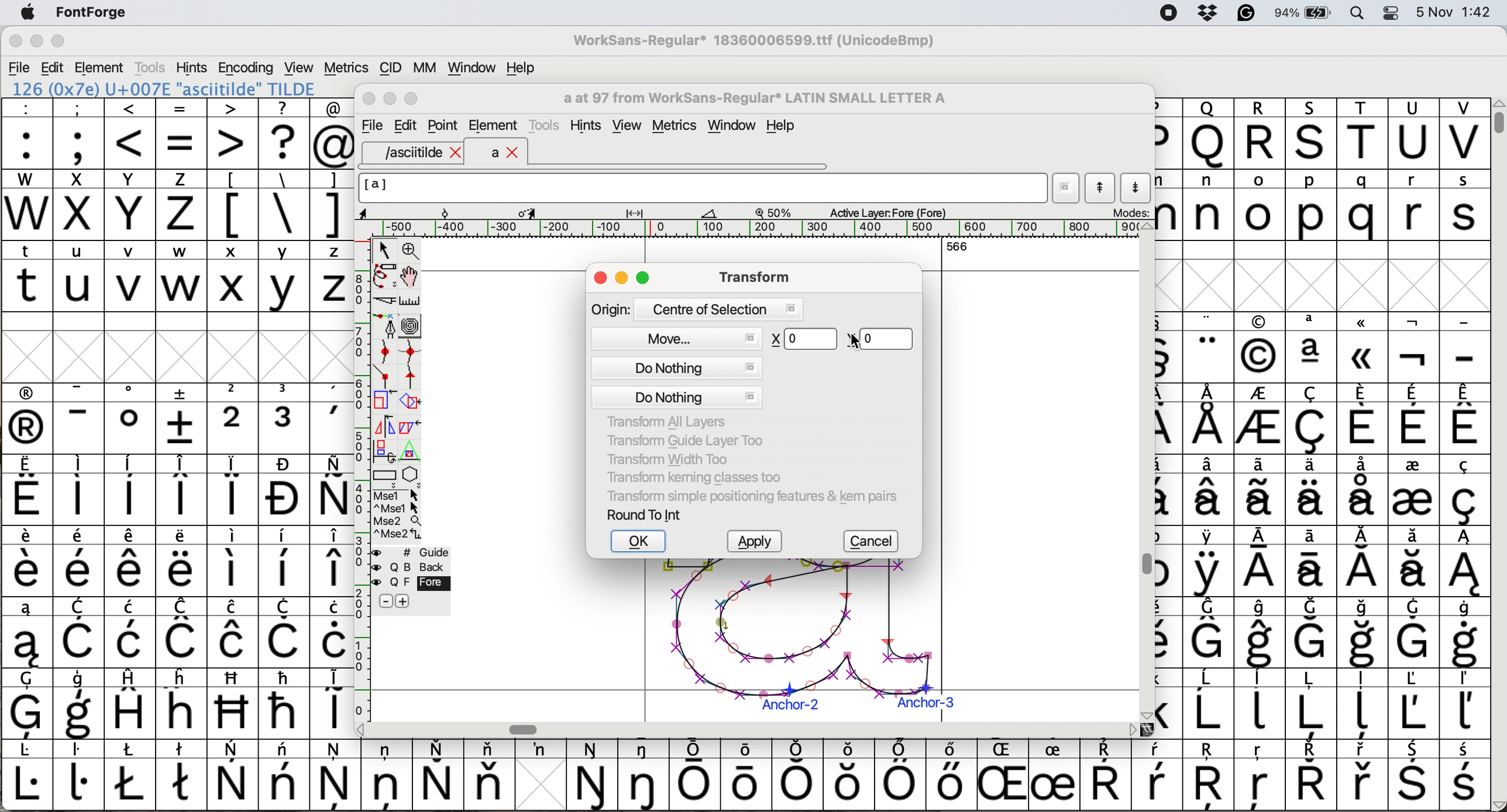 The width and height of the screenshot is (1507, 812). Describe the element at coordinates (95, 13) in the screenshot. I see `fontforge` at that location.